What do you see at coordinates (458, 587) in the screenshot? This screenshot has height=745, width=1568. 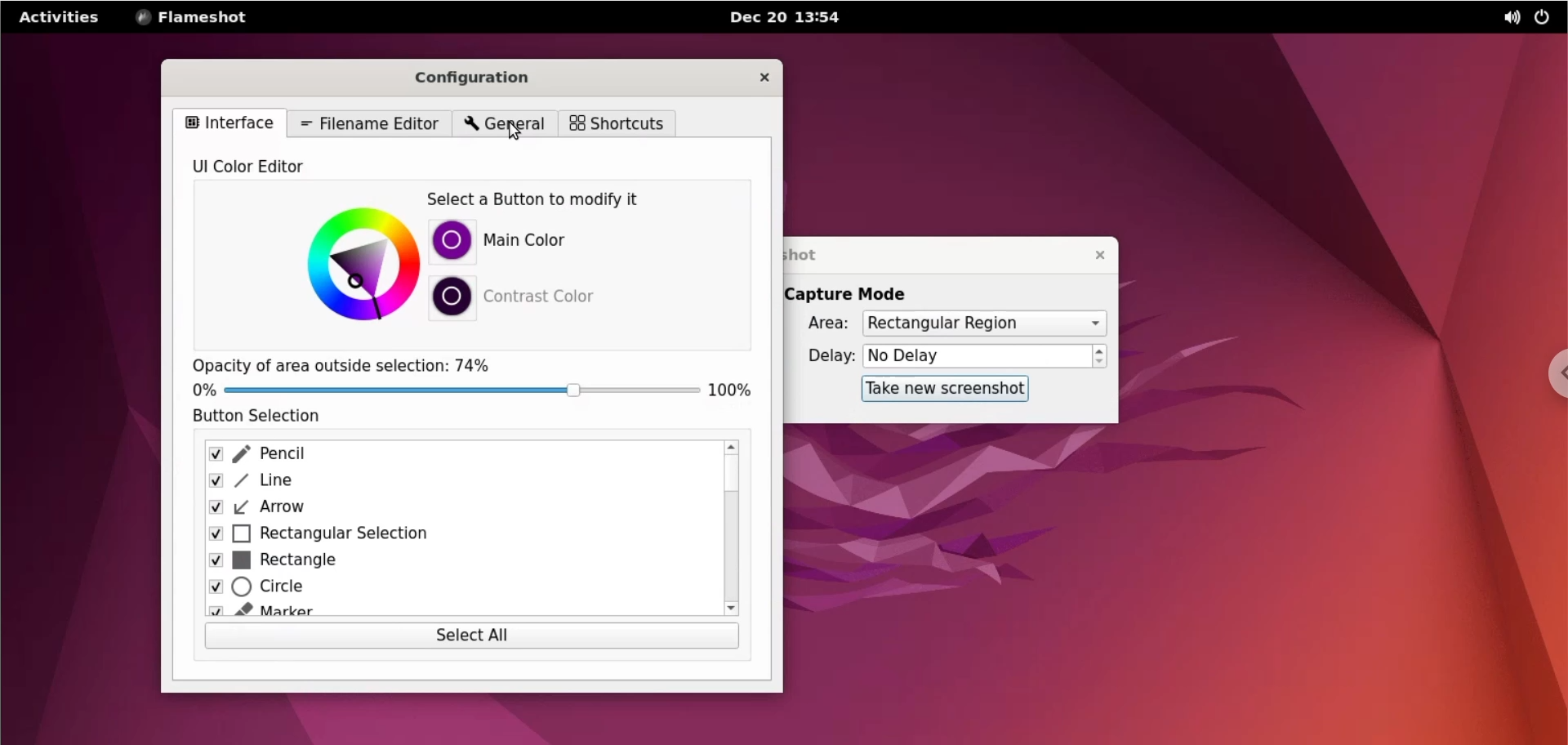 I see `circle` at bounding box center [458, 587].